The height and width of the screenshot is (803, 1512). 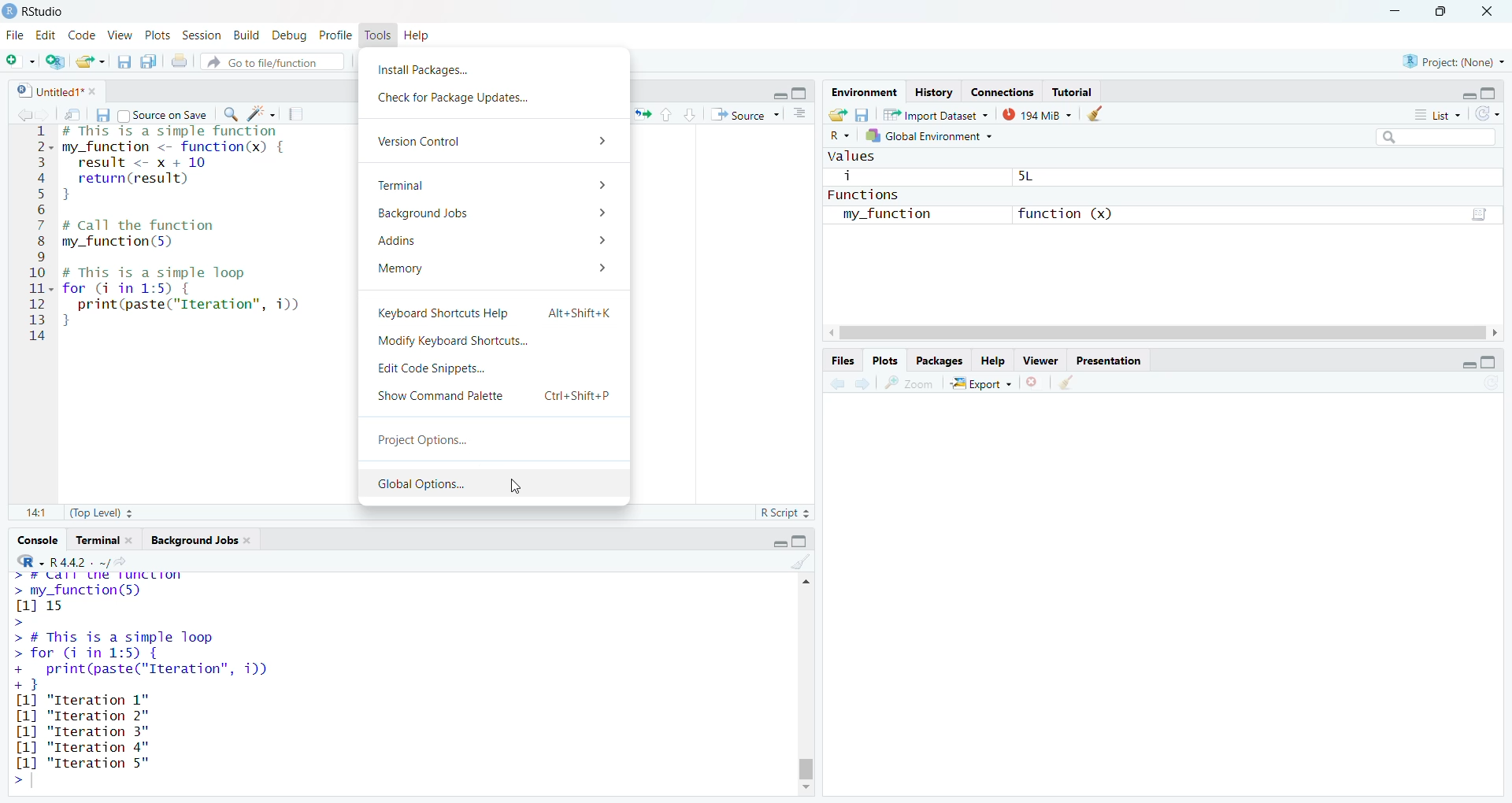 What do you see at coordinates (495, 139) in the screenshot?
I see `Version Control` at bounding box center [495, 139].